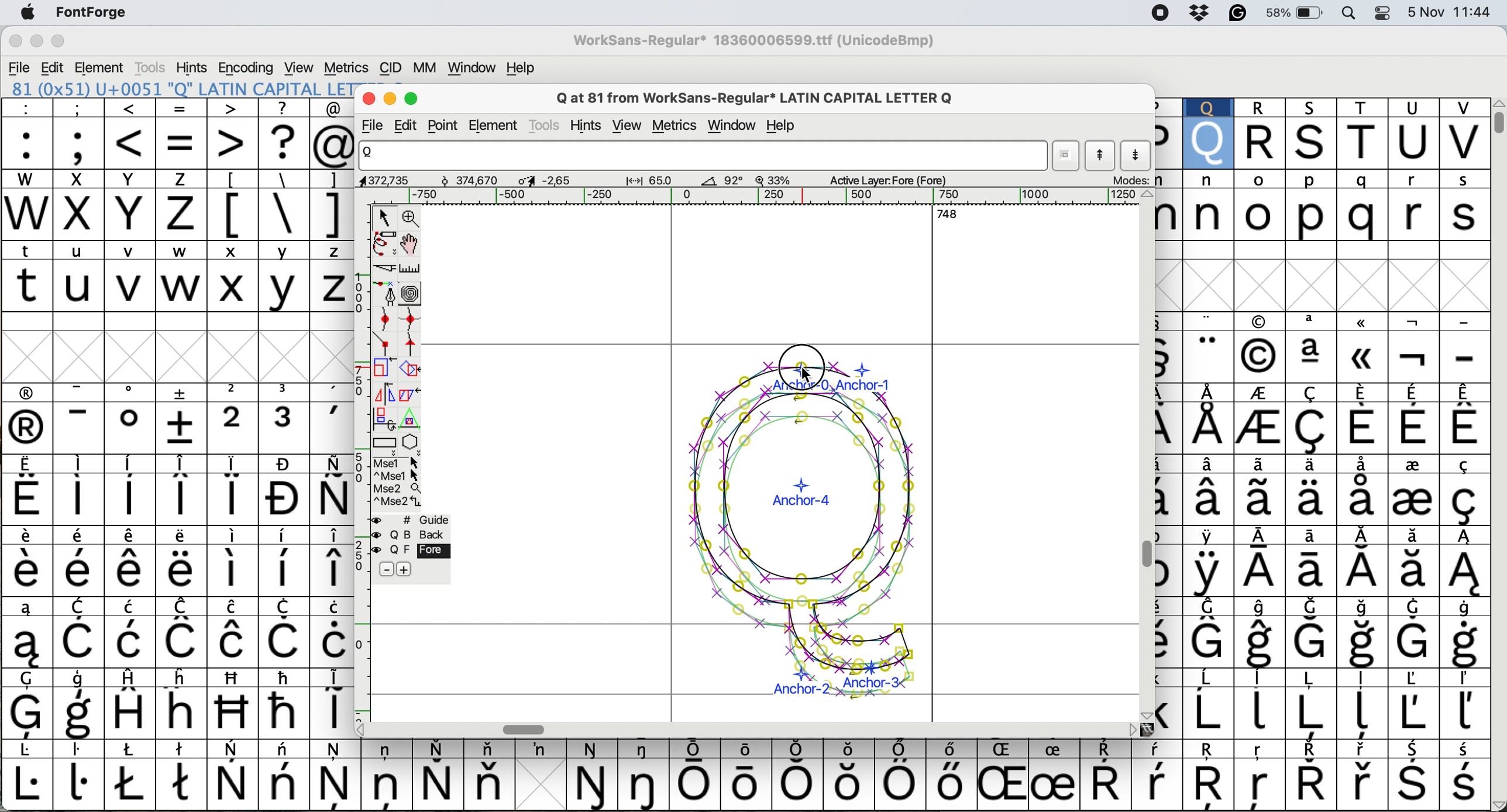 This screenshot has height=812, width=1507. What do you see at coordinates (416, 570) in the screenshot?
I see `add` at bounding box center [416, 570].